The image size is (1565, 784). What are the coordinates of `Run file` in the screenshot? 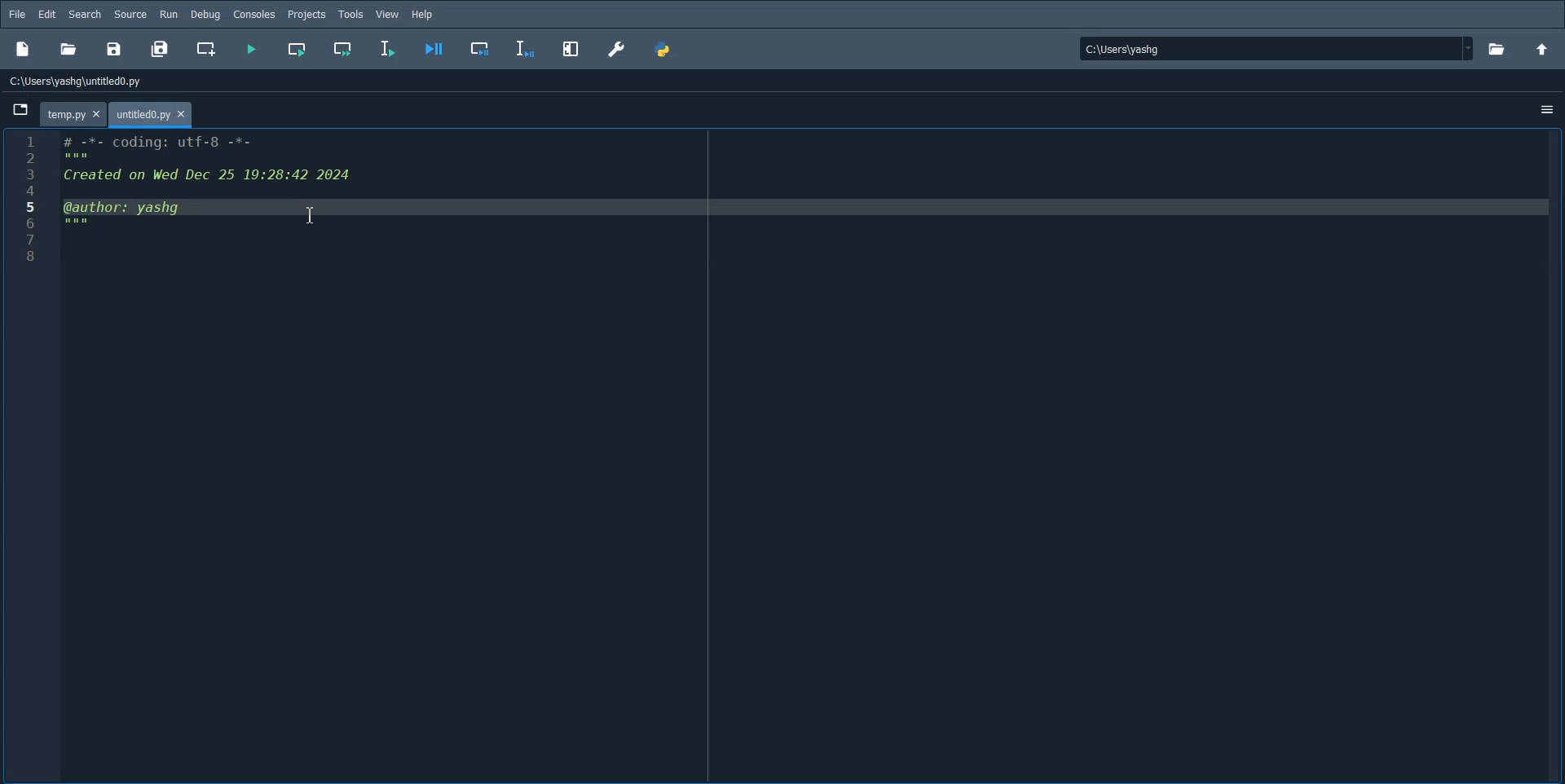 It's located at (250, 51).